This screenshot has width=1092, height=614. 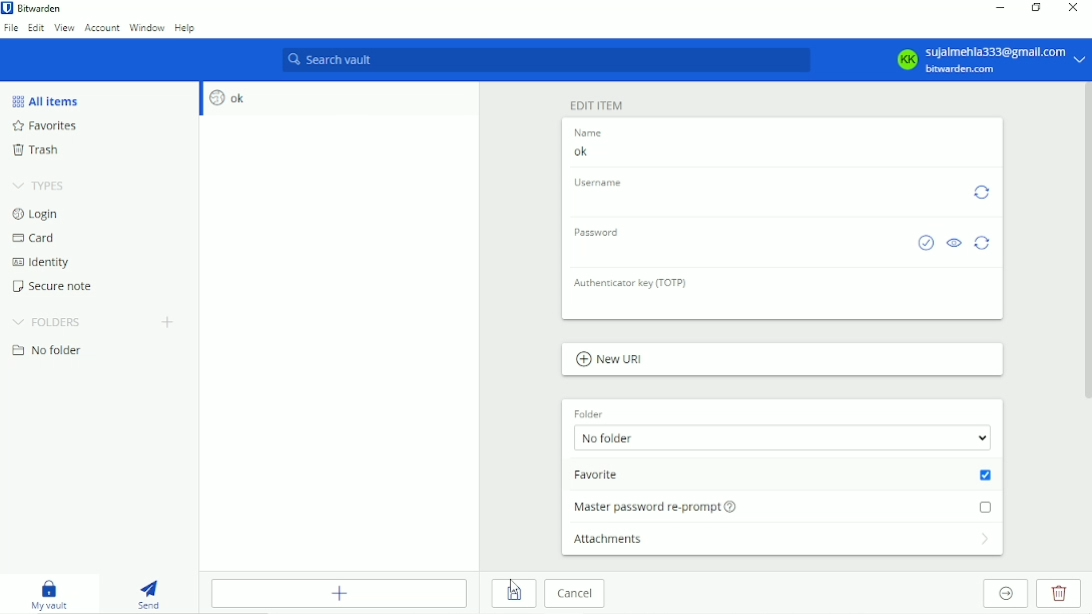 What do you see at coordinates (1073, 8) in the screenshot?
I see `Close` at bounding box center [1073, 8].